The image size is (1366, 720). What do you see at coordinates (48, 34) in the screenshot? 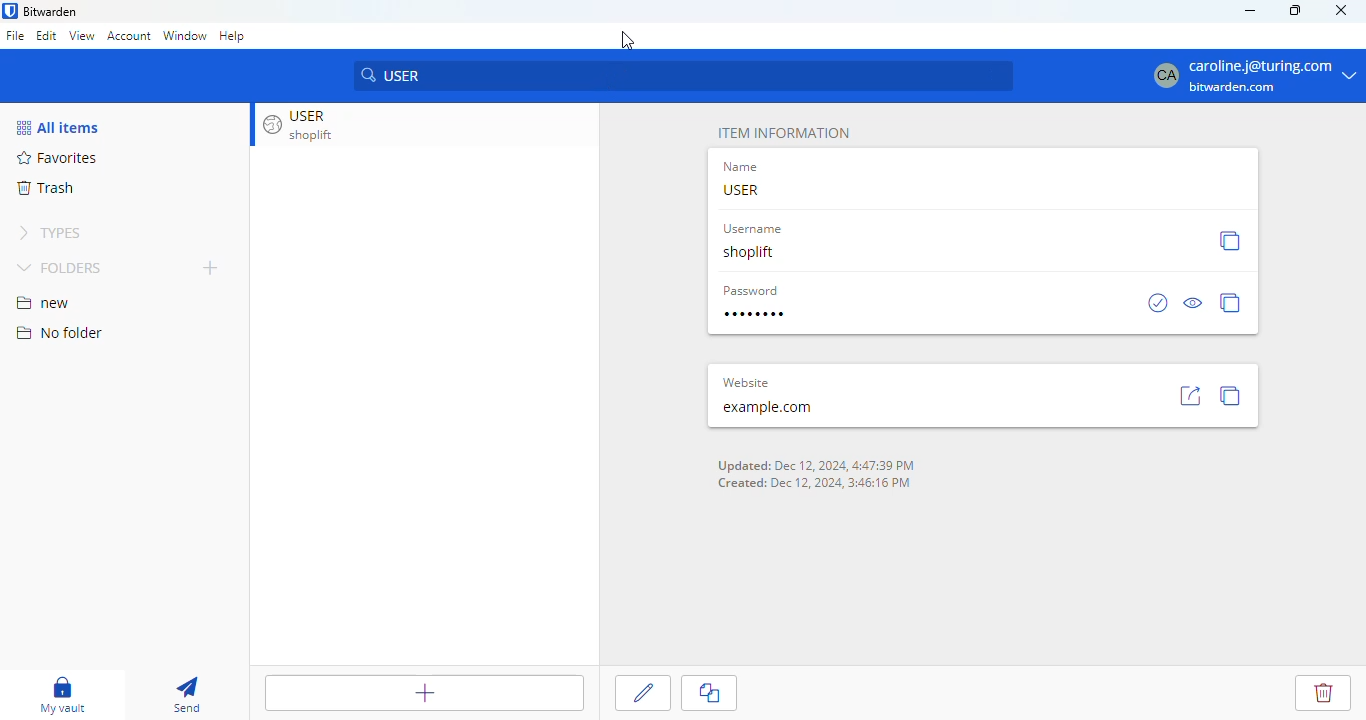
I see `edit` at bounding box center [48, 34].